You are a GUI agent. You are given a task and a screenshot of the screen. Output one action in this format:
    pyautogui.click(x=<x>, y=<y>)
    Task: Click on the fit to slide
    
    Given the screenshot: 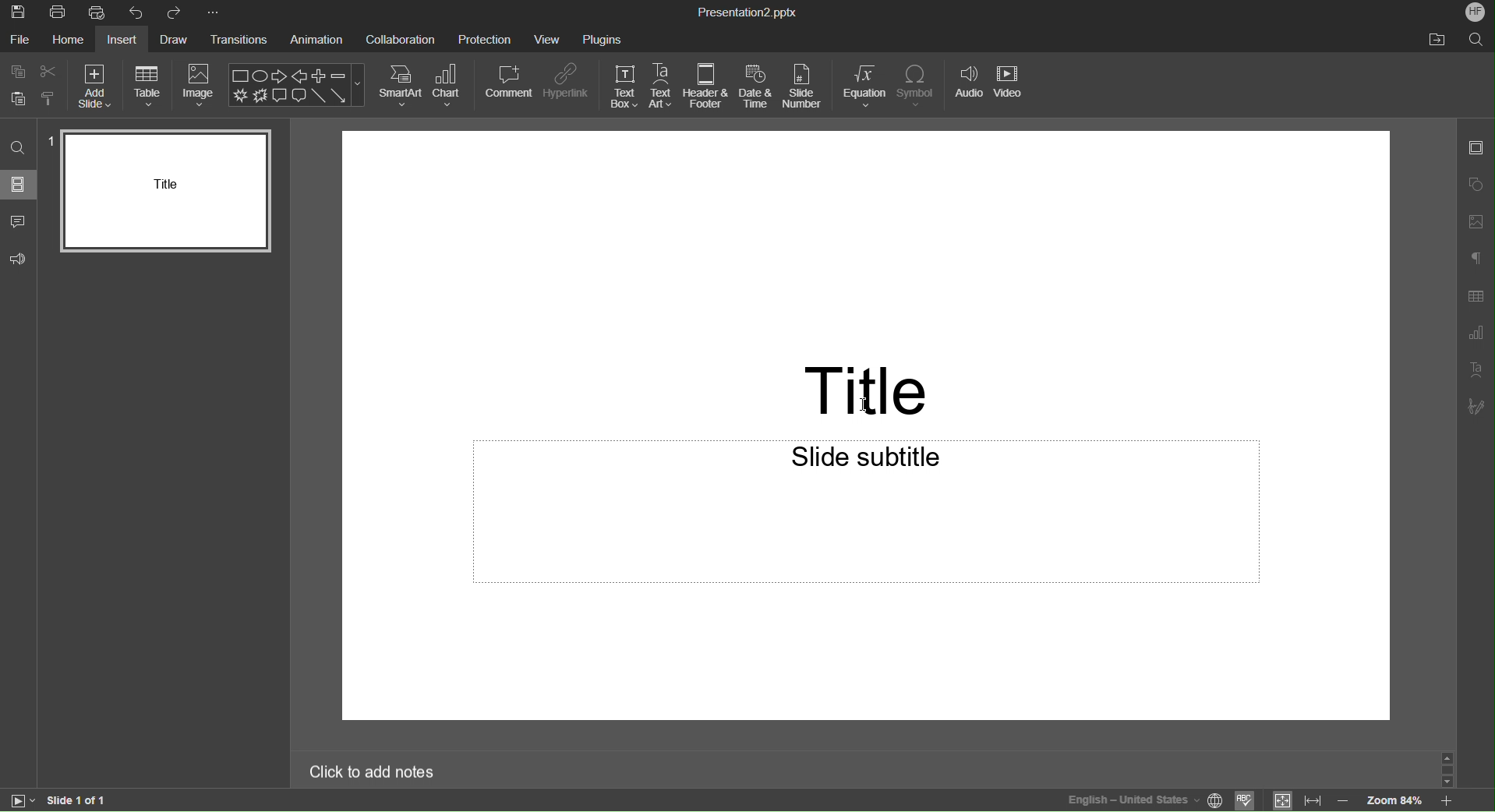 What is the action you would take?
    pyautogui.click(x=1281, y=800)
    